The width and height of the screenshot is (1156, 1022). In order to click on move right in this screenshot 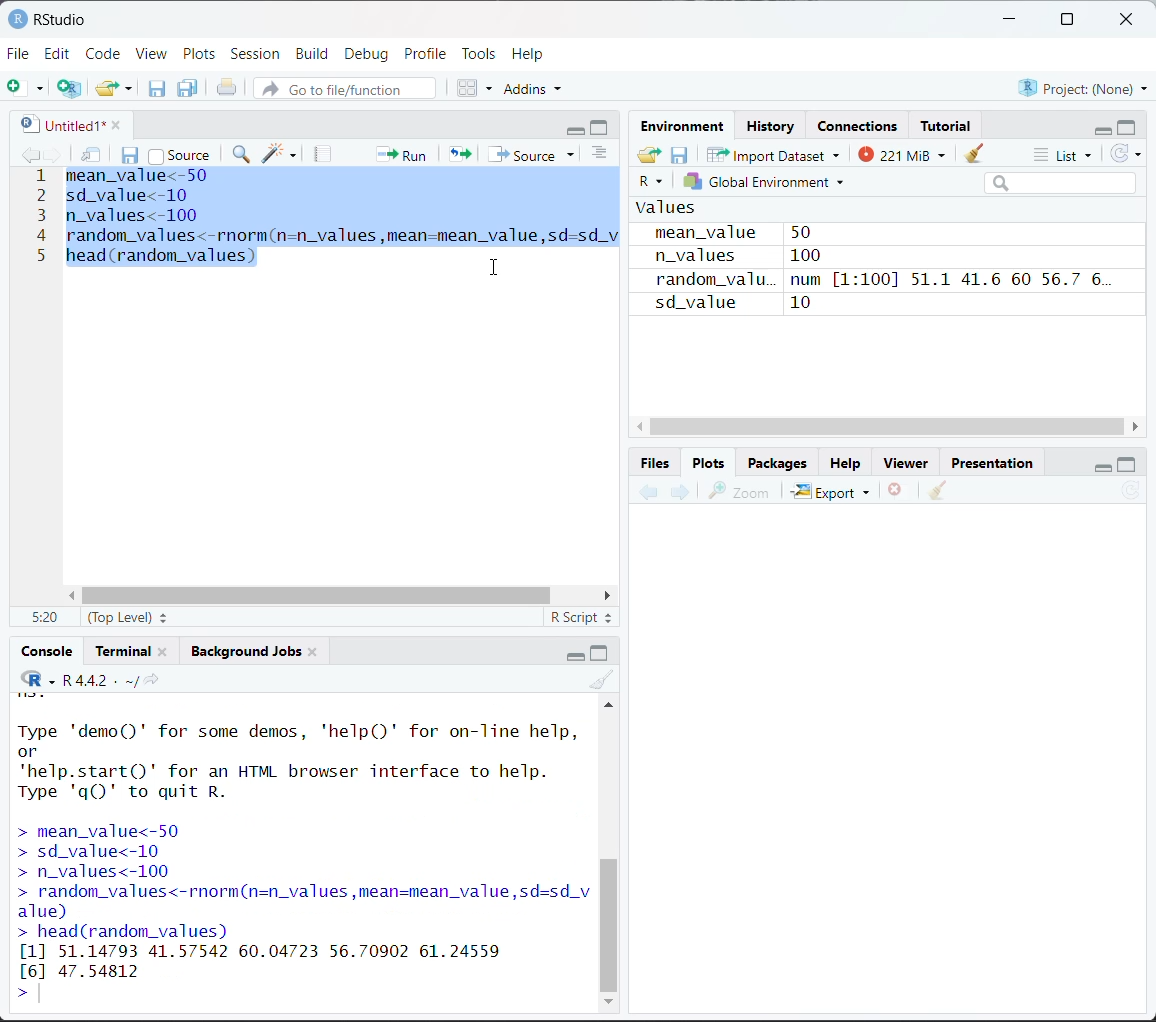, I will do `click(1134, 429)`.